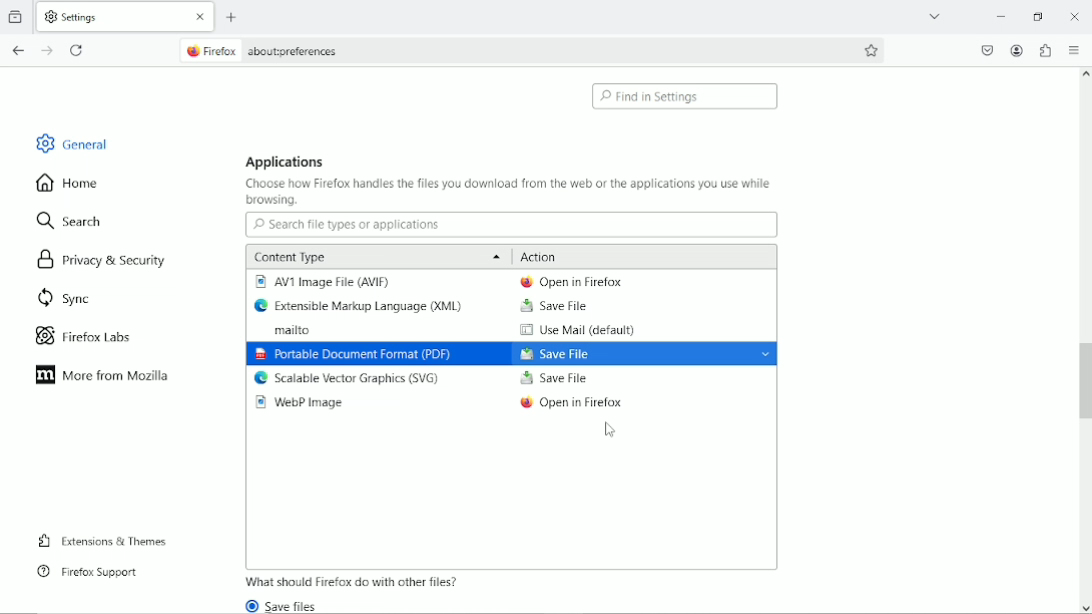  I want to click on Choose how firefox handles the files you download from the web or the applications you use while browsing, so click(509, 193).